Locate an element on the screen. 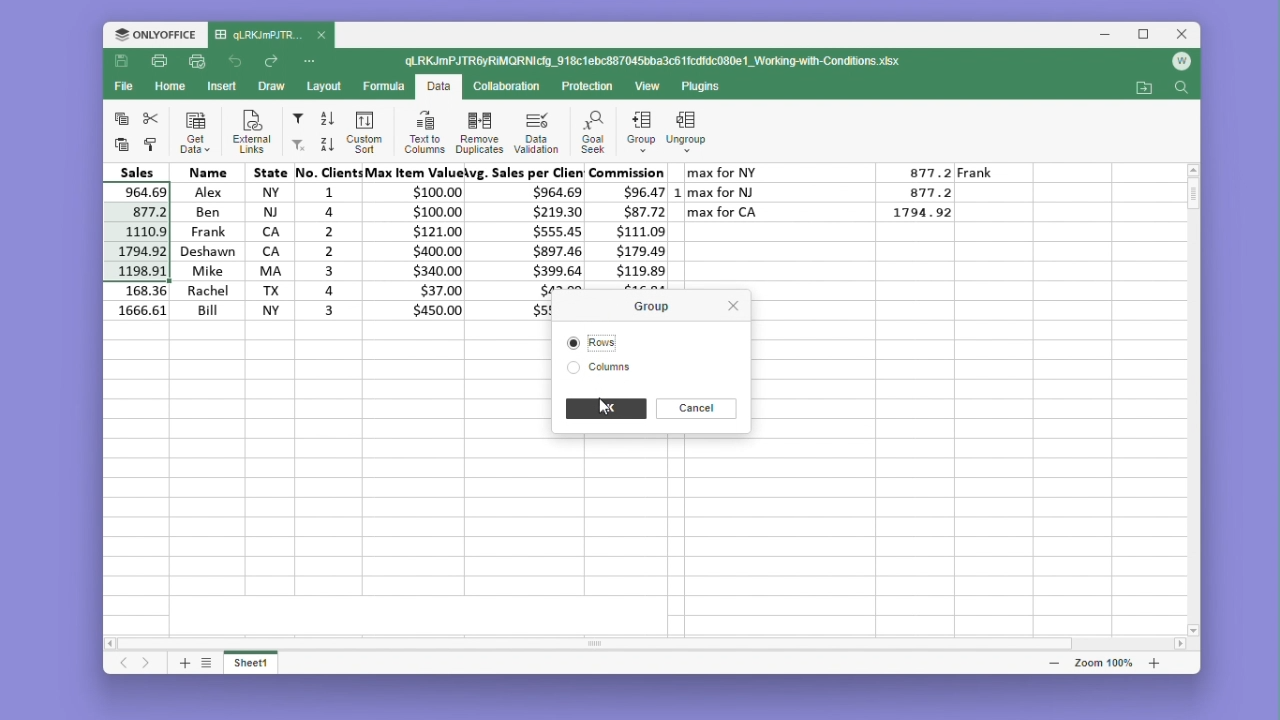  close is located at coordinates (731, 305).